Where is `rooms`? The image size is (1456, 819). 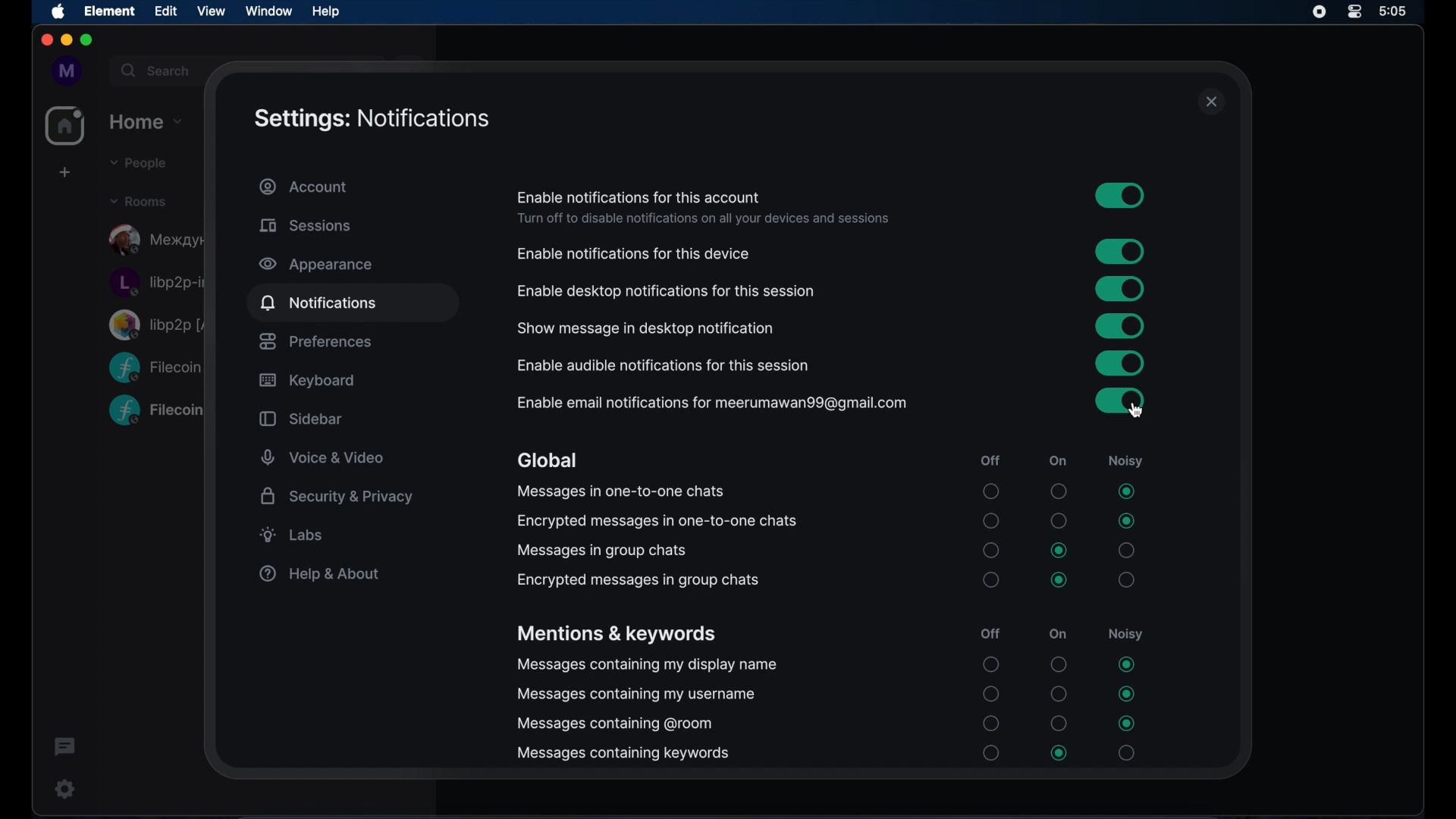
rooms is located at coordinates (138, 200).